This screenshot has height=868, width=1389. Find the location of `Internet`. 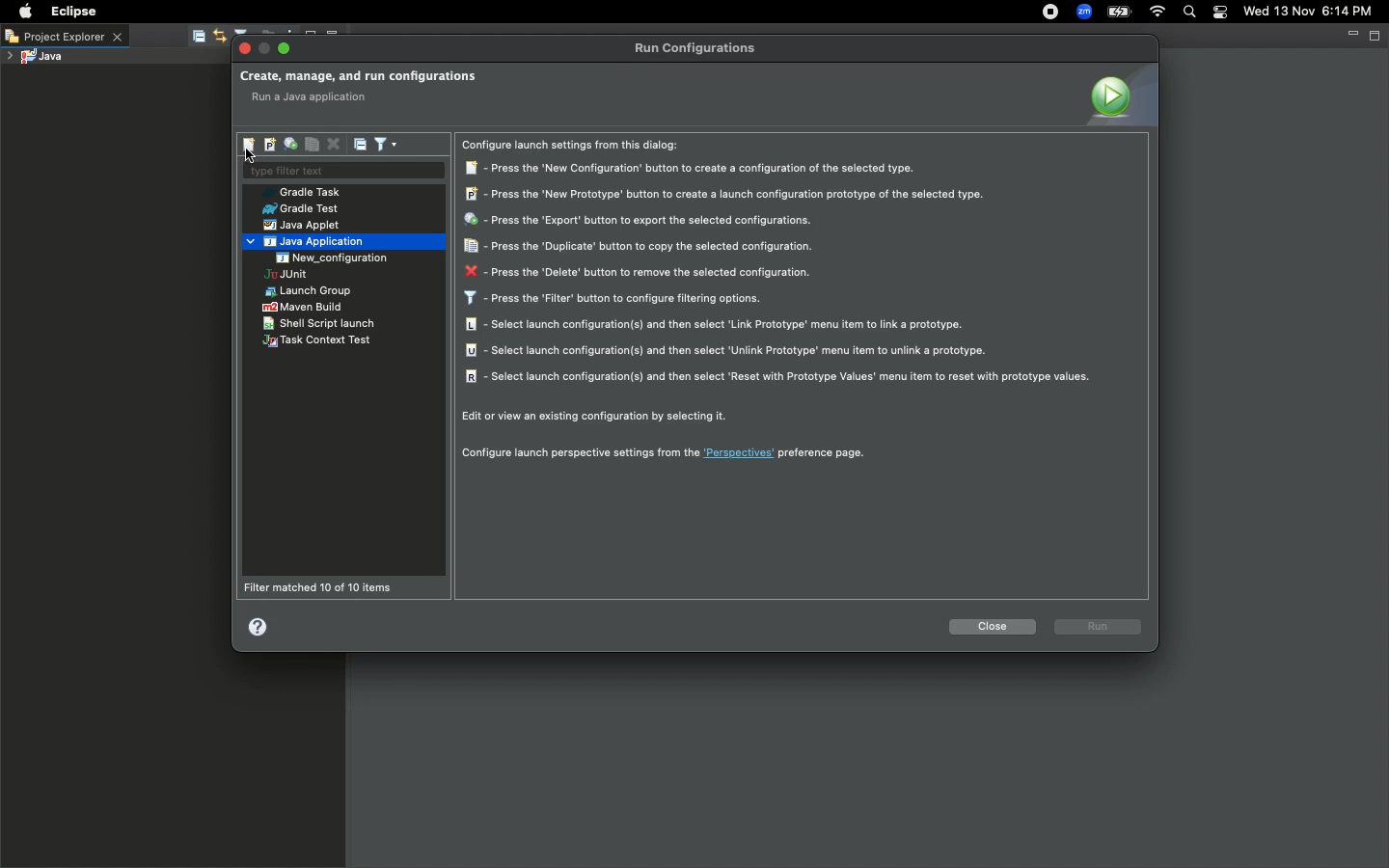

Internet is located at coordinates (1156, 14).